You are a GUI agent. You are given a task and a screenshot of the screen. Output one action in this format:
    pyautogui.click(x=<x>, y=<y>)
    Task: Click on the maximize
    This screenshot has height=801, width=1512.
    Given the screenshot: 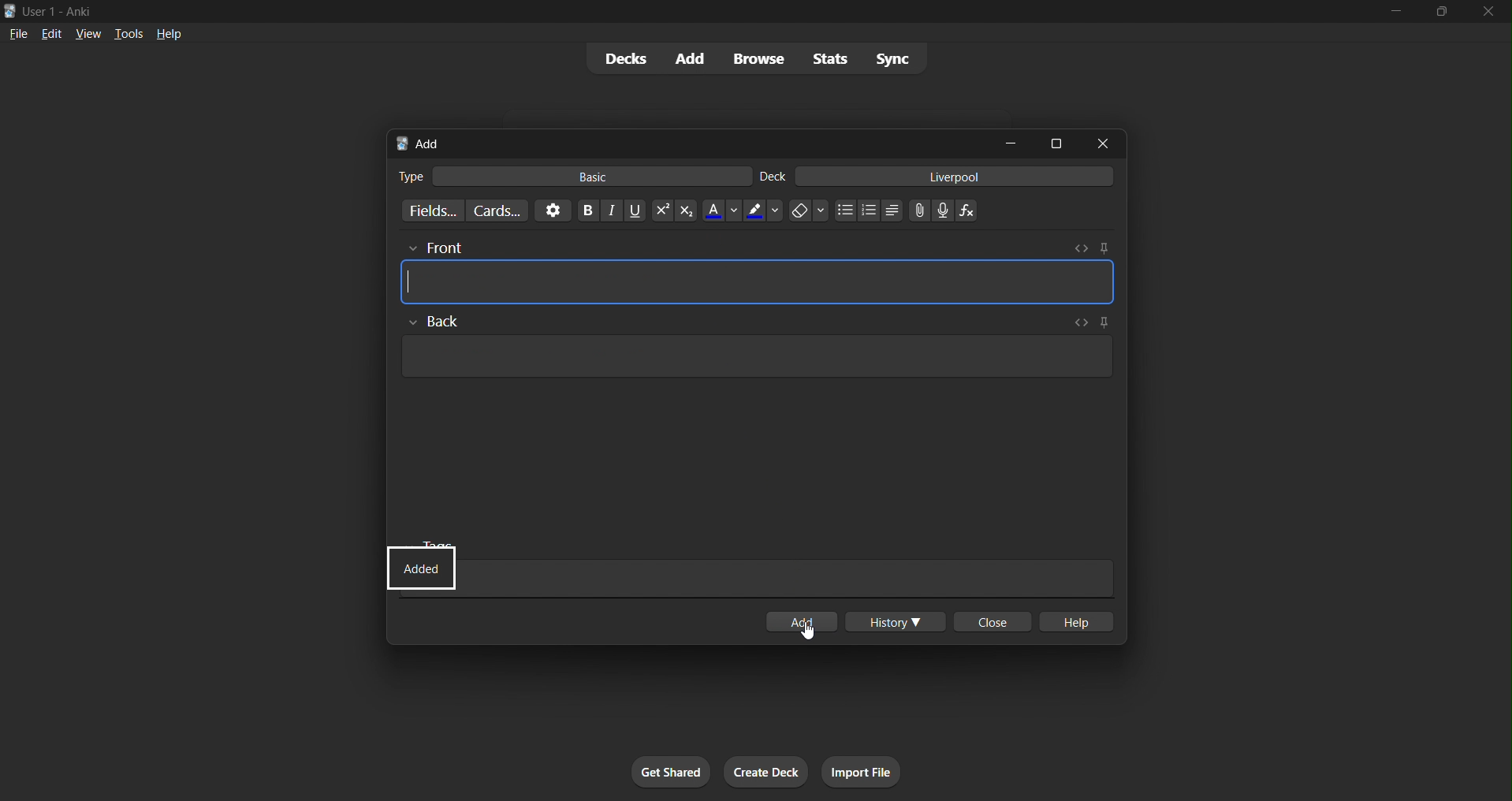 What is the action you would take?
    pyautogui.click(x=1056, y=143)
    